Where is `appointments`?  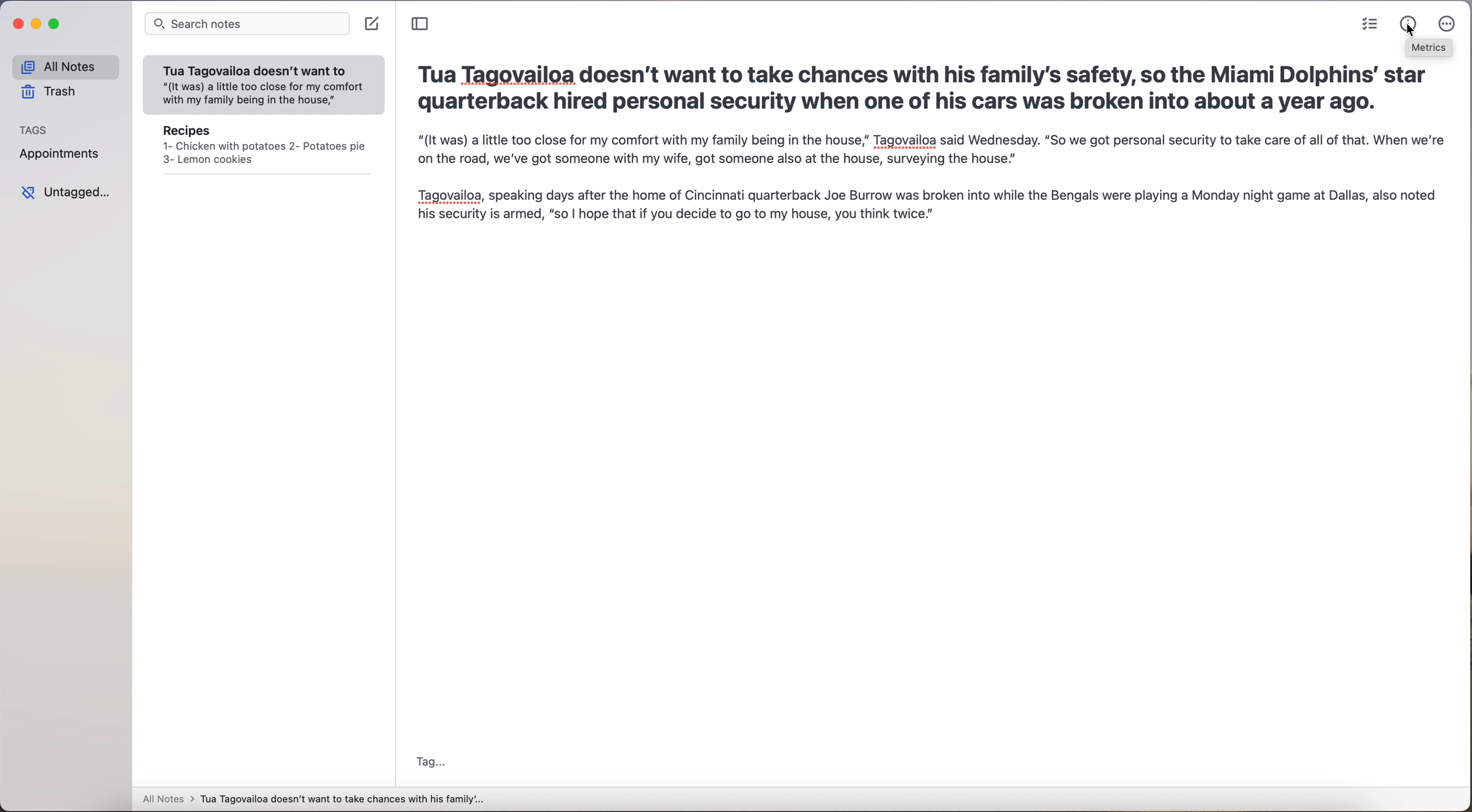 appointments is located at coordinates (59, 155).